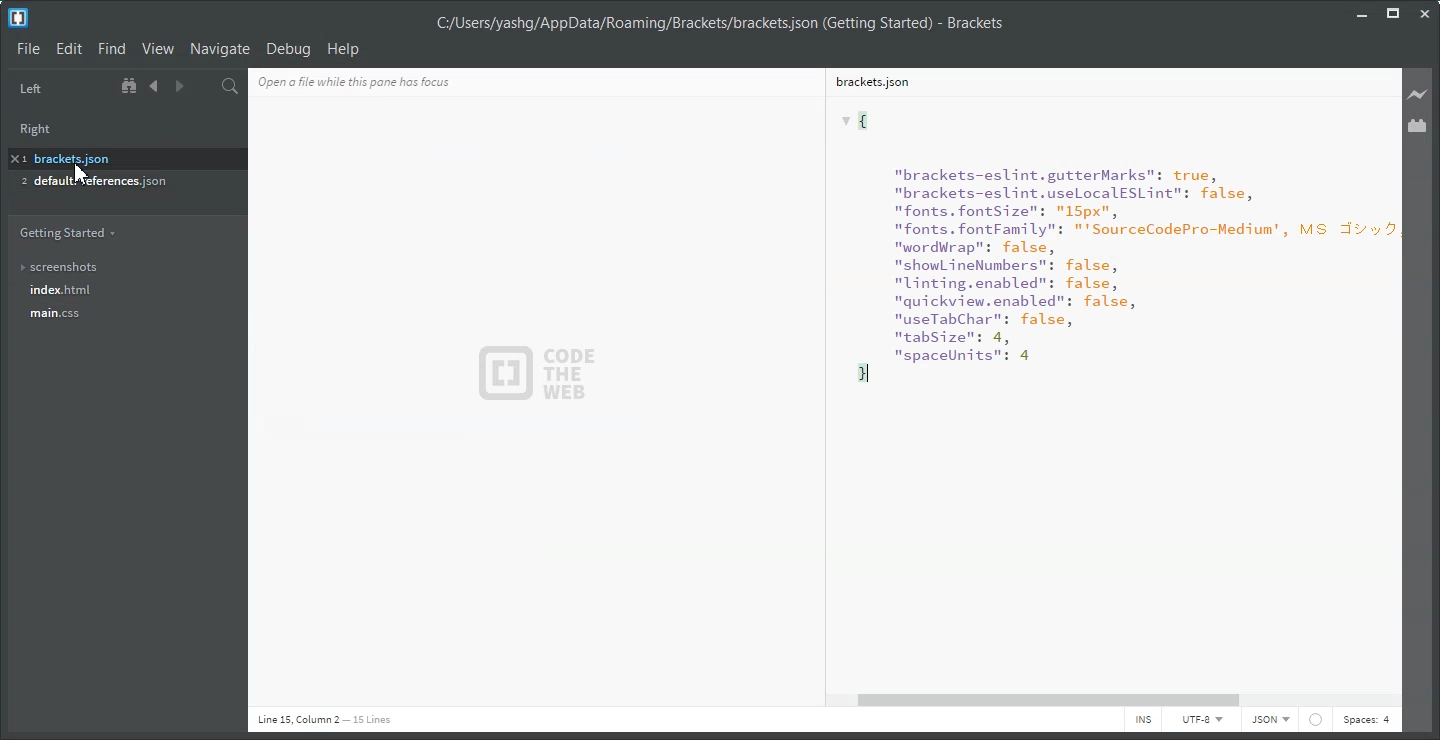 The height and width of the screenshot is (740, 1440). What do you see at coordinates (719, 24) in the screenshot?
I see `Text` at bounding box center [719, 24].